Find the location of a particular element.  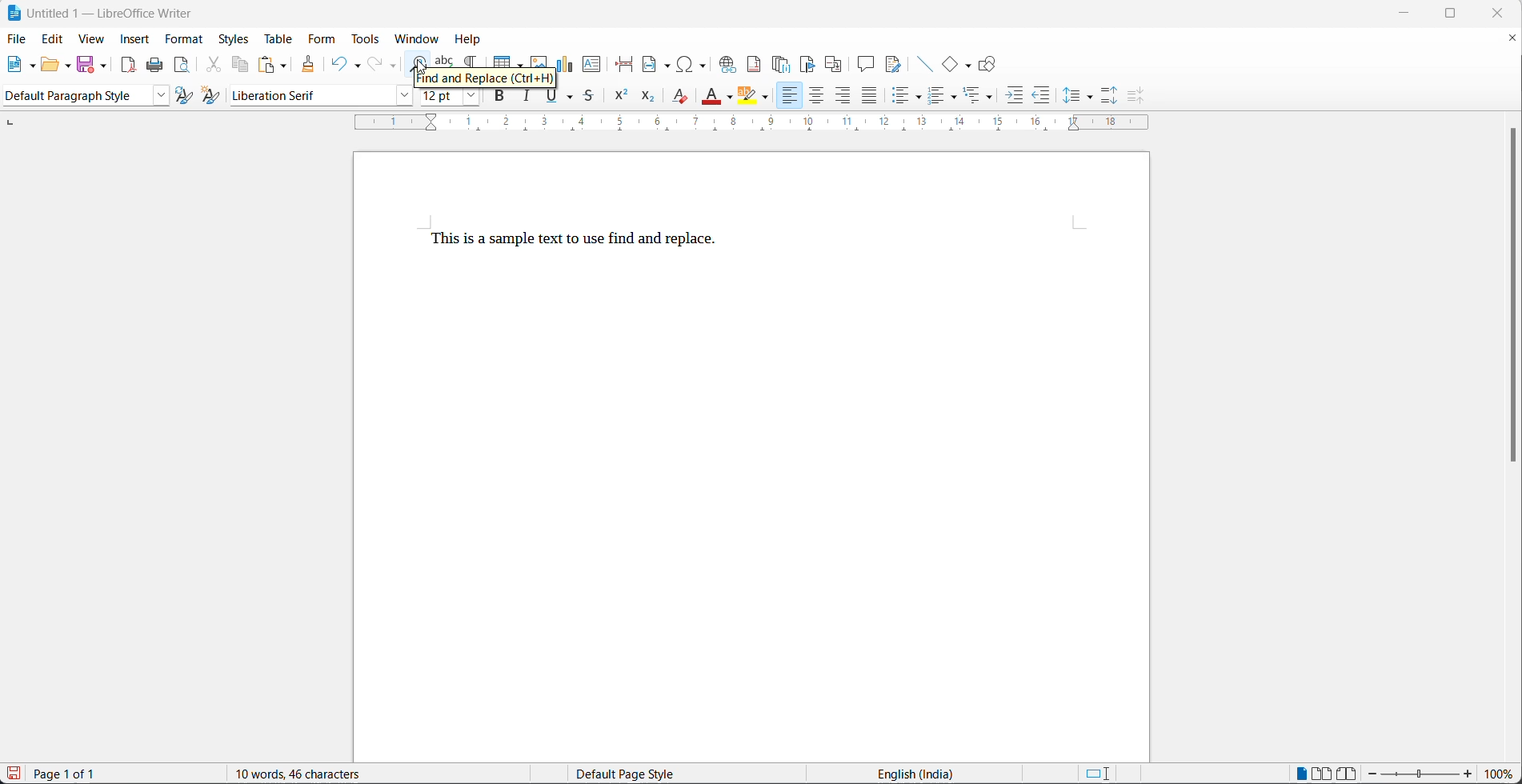

insert text is located at coordinates (593, 66).